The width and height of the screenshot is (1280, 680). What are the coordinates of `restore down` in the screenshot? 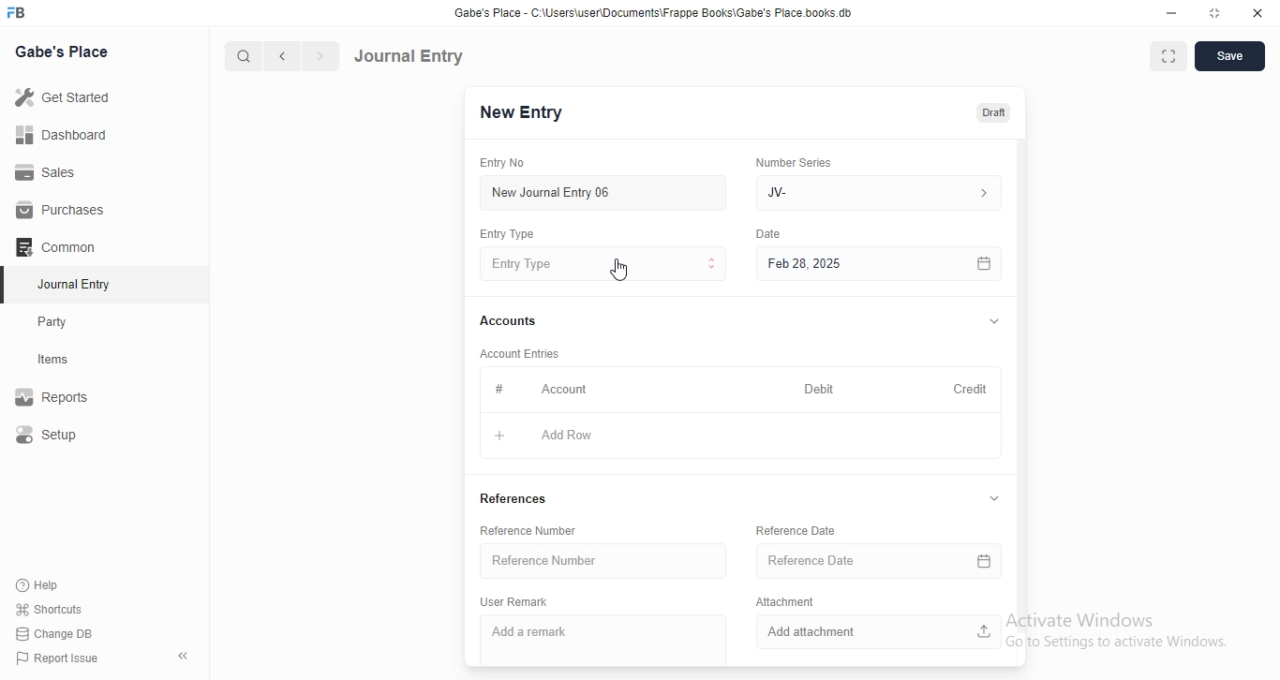 It's located at (1216, 15).